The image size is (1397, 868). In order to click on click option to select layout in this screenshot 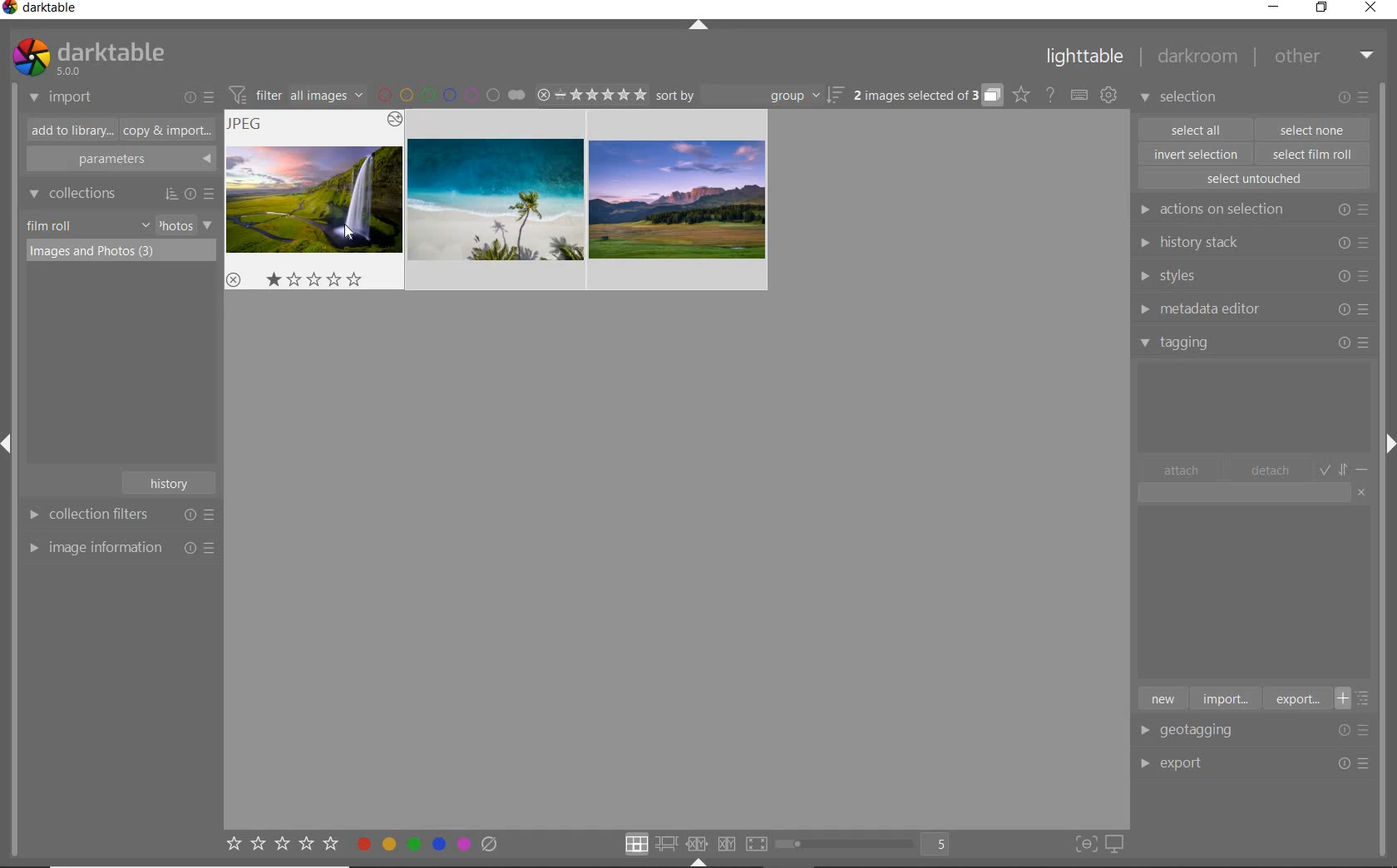, I will do `click(693, 844)`.